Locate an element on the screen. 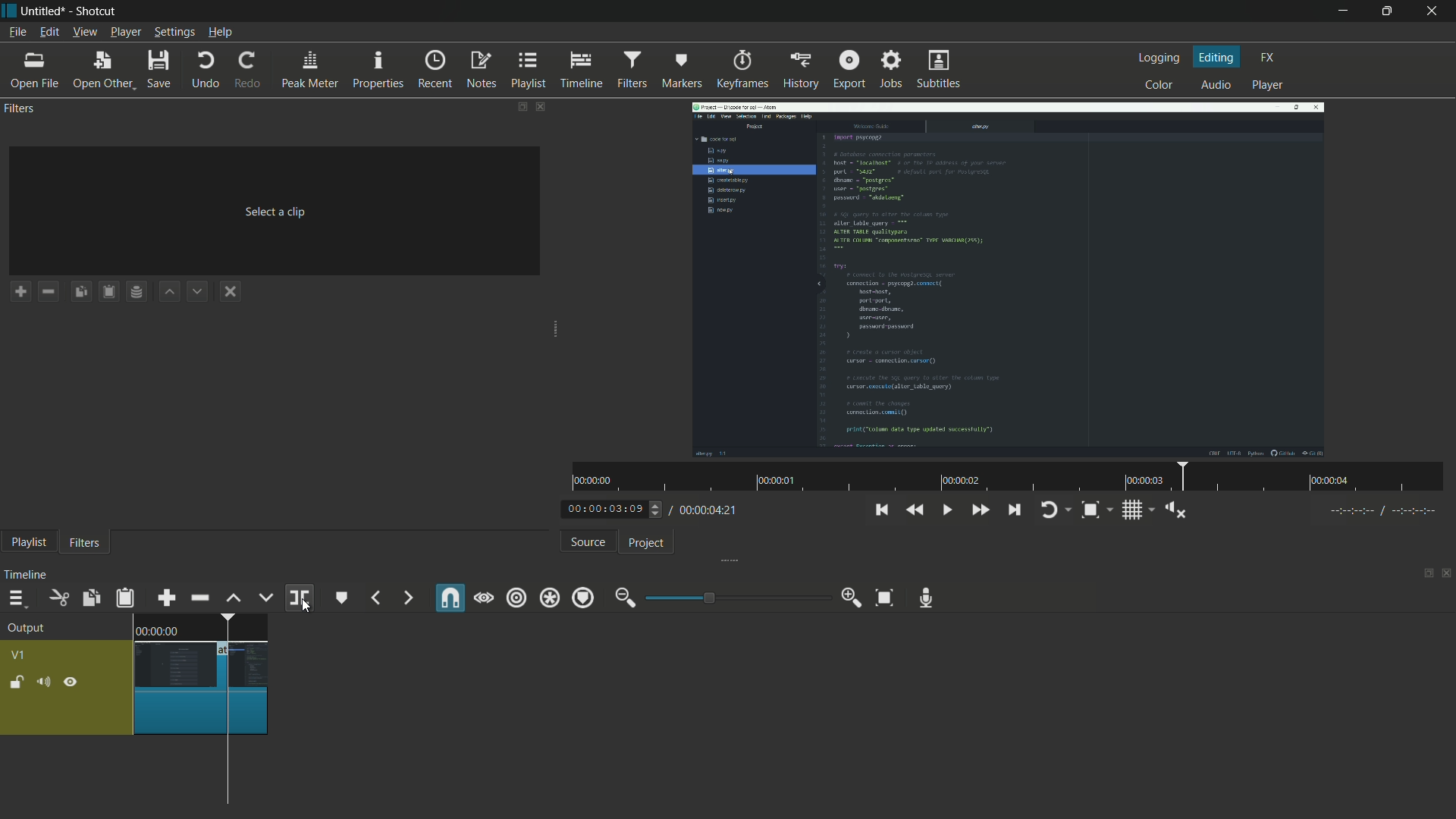 Image resolution: width=1456 pixels, height=819 pixels. overwrite is located at coordinates (267, 596).